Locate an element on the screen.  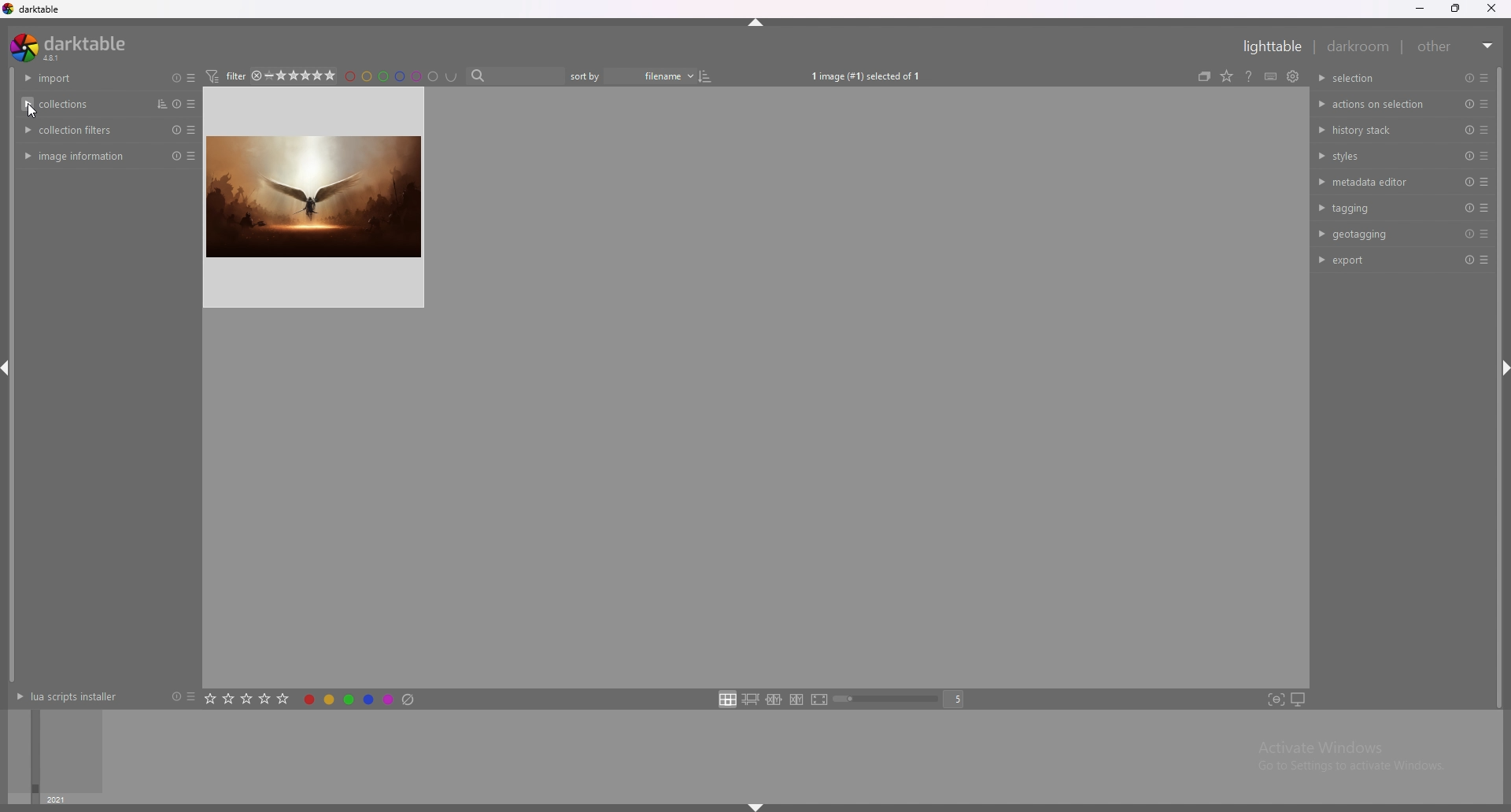
reset is located at coordinates (1469, 78).